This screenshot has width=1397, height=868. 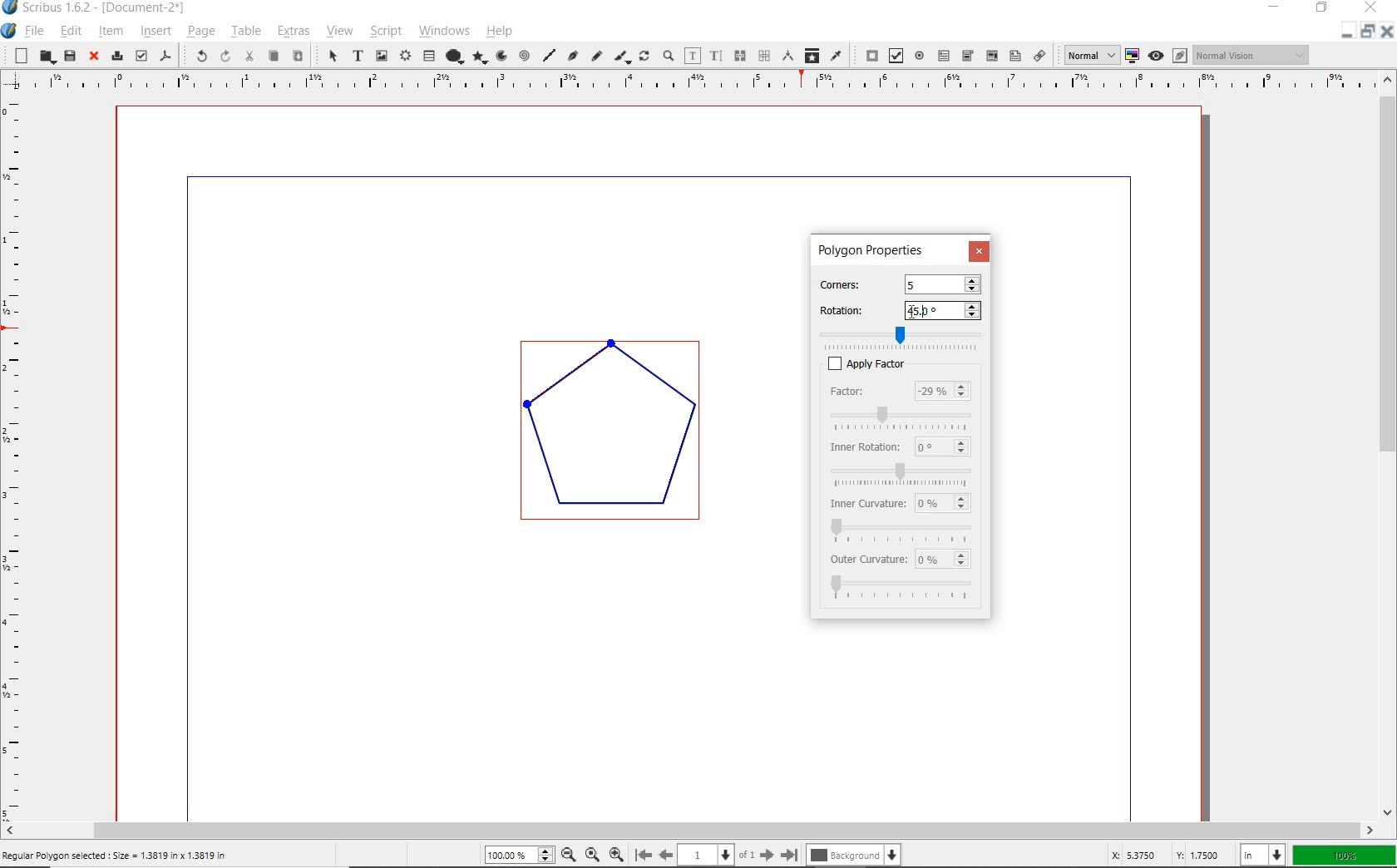 What do you see at coordinates (901, 529) in the screenshot?
I see `inner curvature slider` at bounding box center [901, 529].